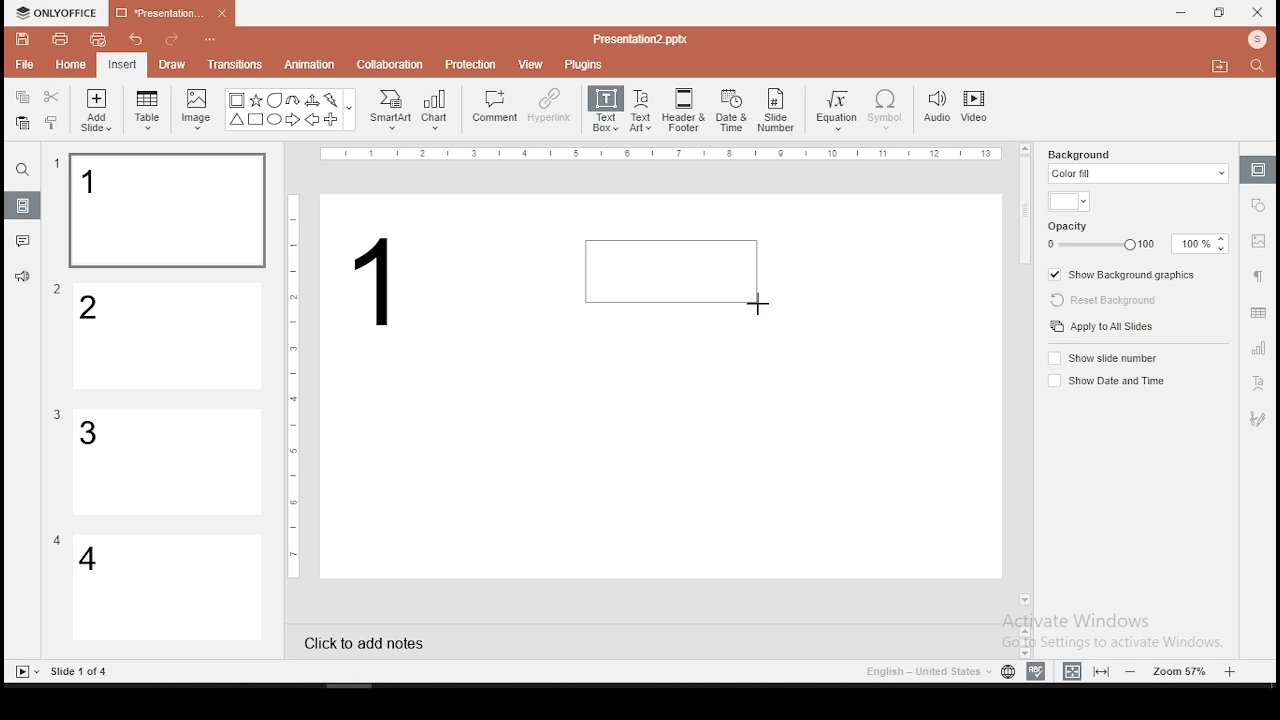 The width and height of the screenshot is (1280, 720). I want to click on hyperlink, so click(548, 105).